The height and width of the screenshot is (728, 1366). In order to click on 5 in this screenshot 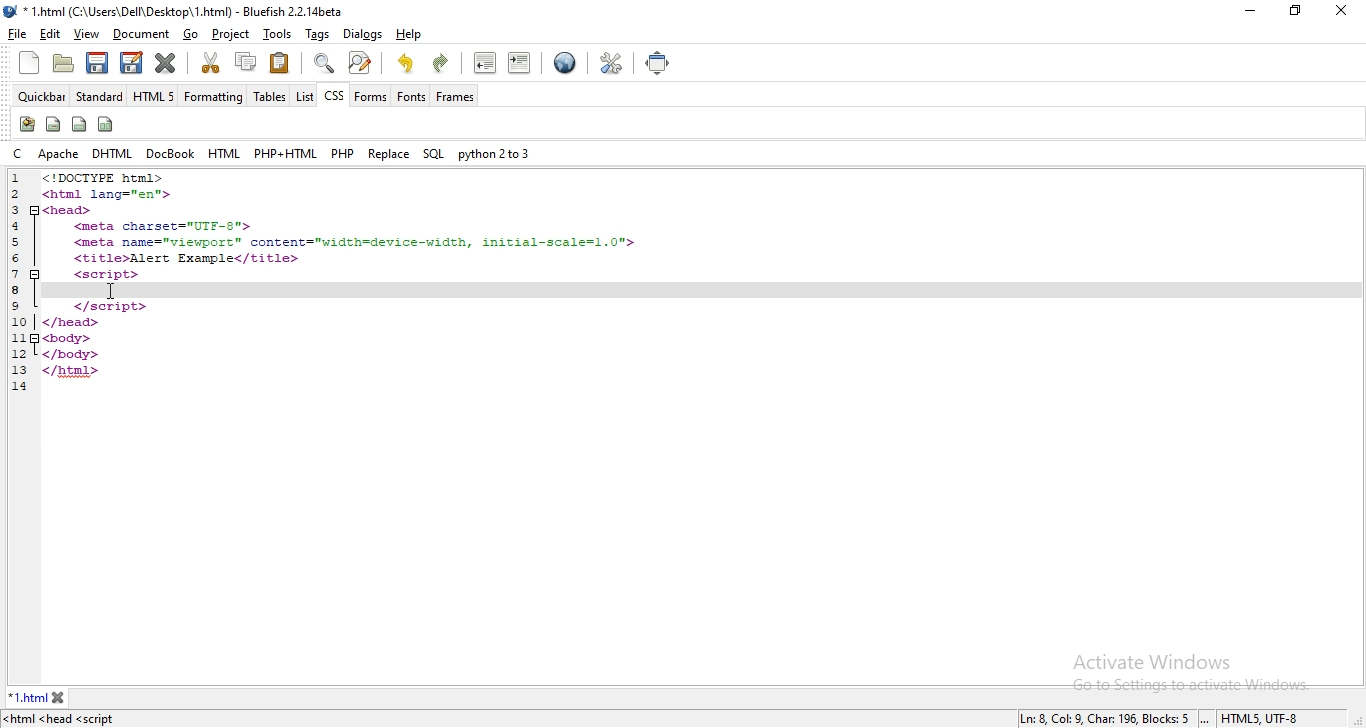, I will do `click(17, 241)`.